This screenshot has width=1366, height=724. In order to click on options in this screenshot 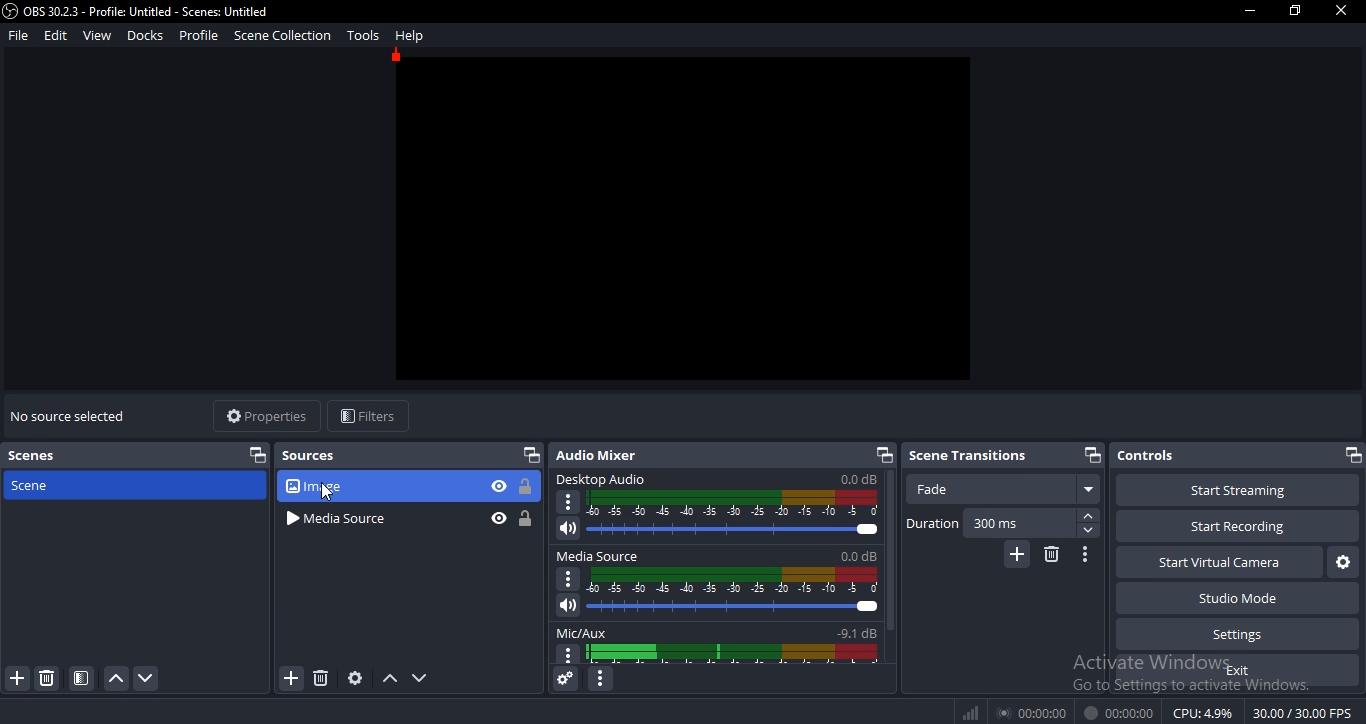, I will do `click(566, 580)`.